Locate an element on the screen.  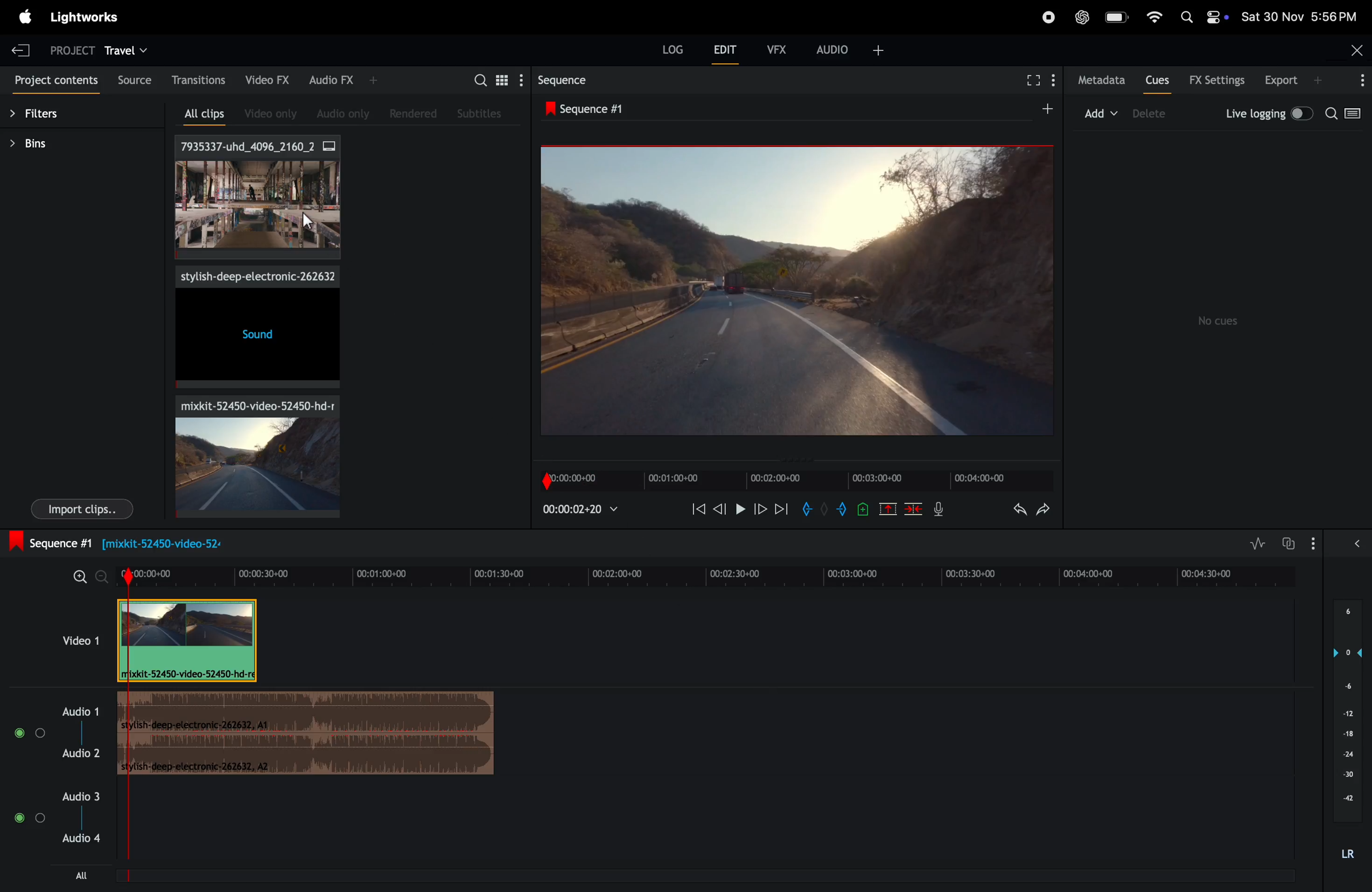
date and time is located at coordinates (1299, 17).